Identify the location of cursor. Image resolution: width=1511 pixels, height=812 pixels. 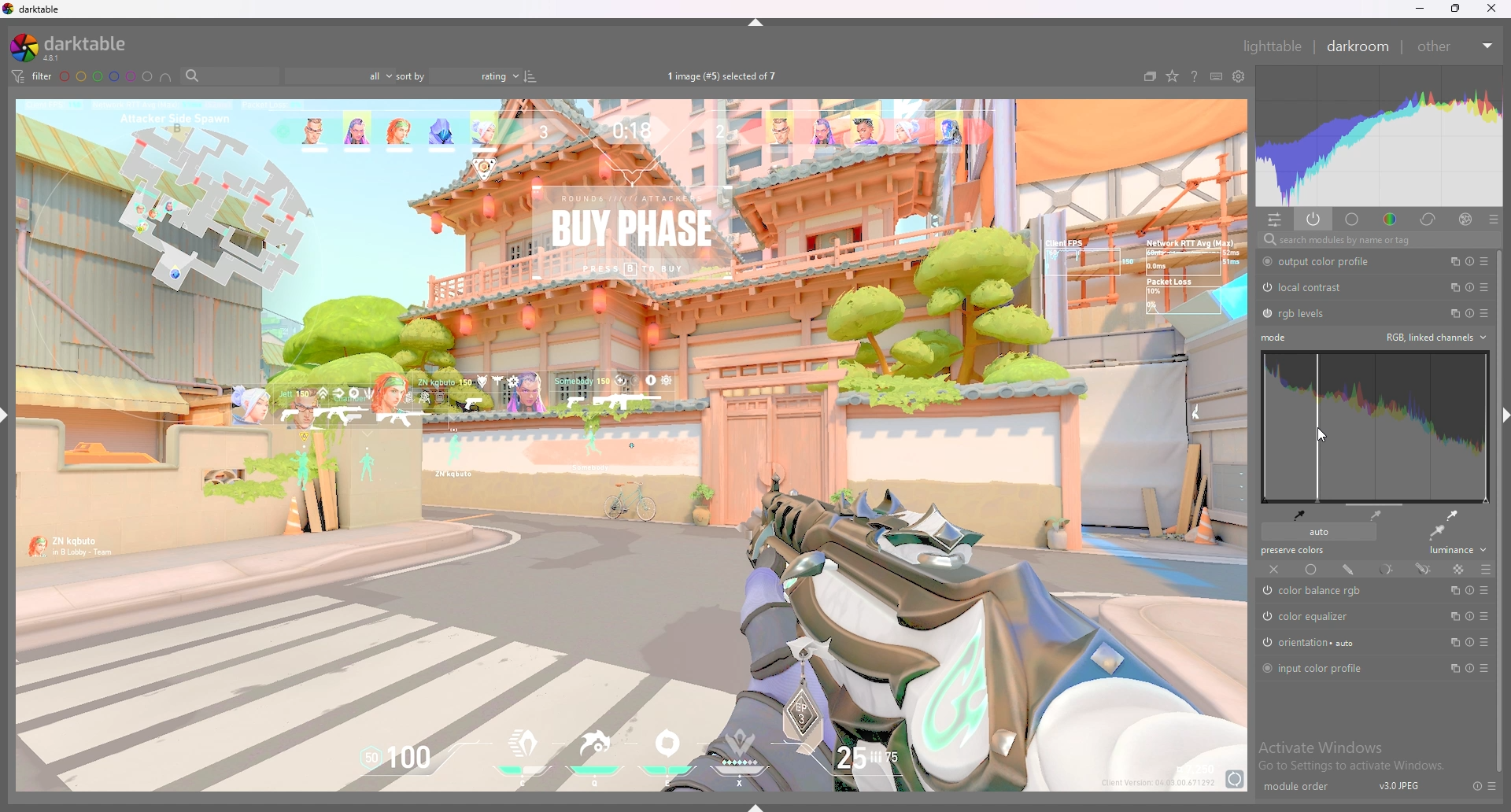
(1321, 435).